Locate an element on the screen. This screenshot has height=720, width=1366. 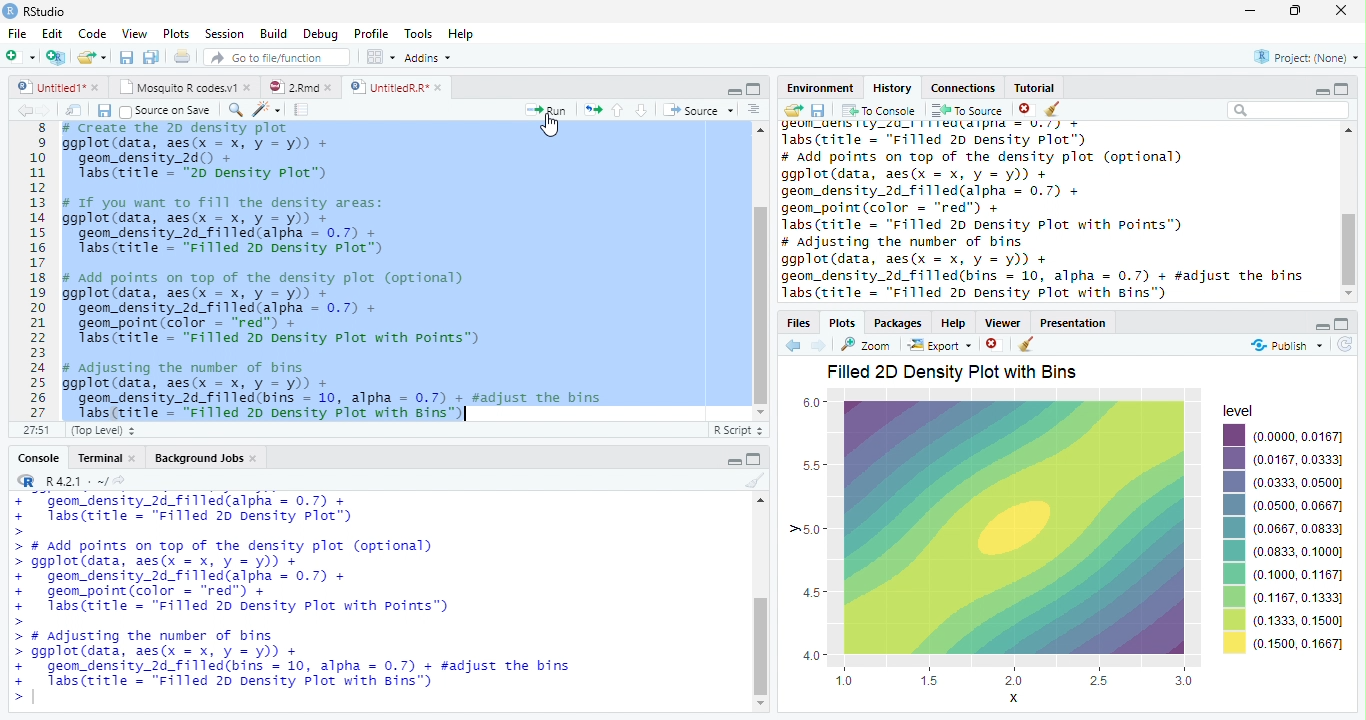
' RStudio is located at coordinates (34, 12).